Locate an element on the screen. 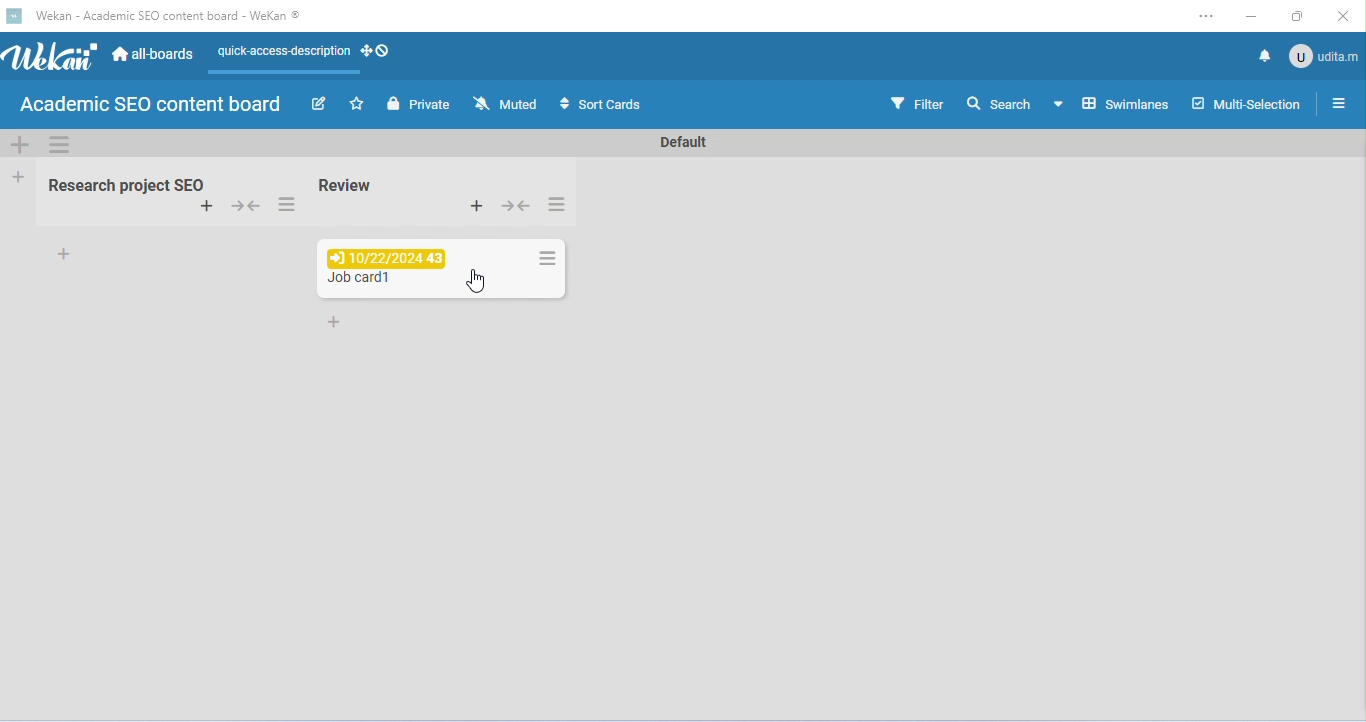 Image resolution: width=1366 pixels, height=722 pixels. WeKan is located at coordinates (50, 57).